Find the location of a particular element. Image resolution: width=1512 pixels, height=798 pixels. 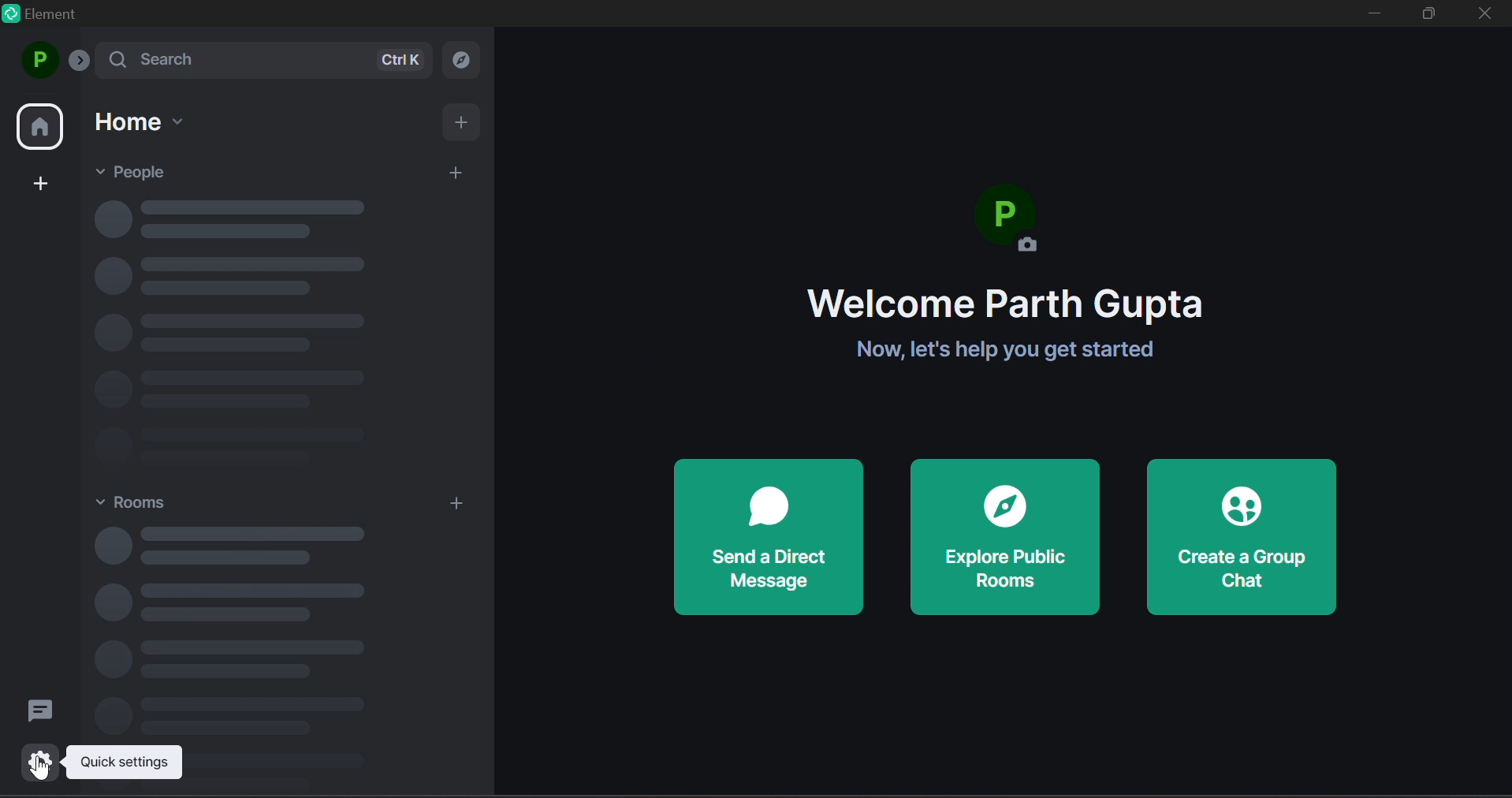

rooms is located at coordinates (143, 505).